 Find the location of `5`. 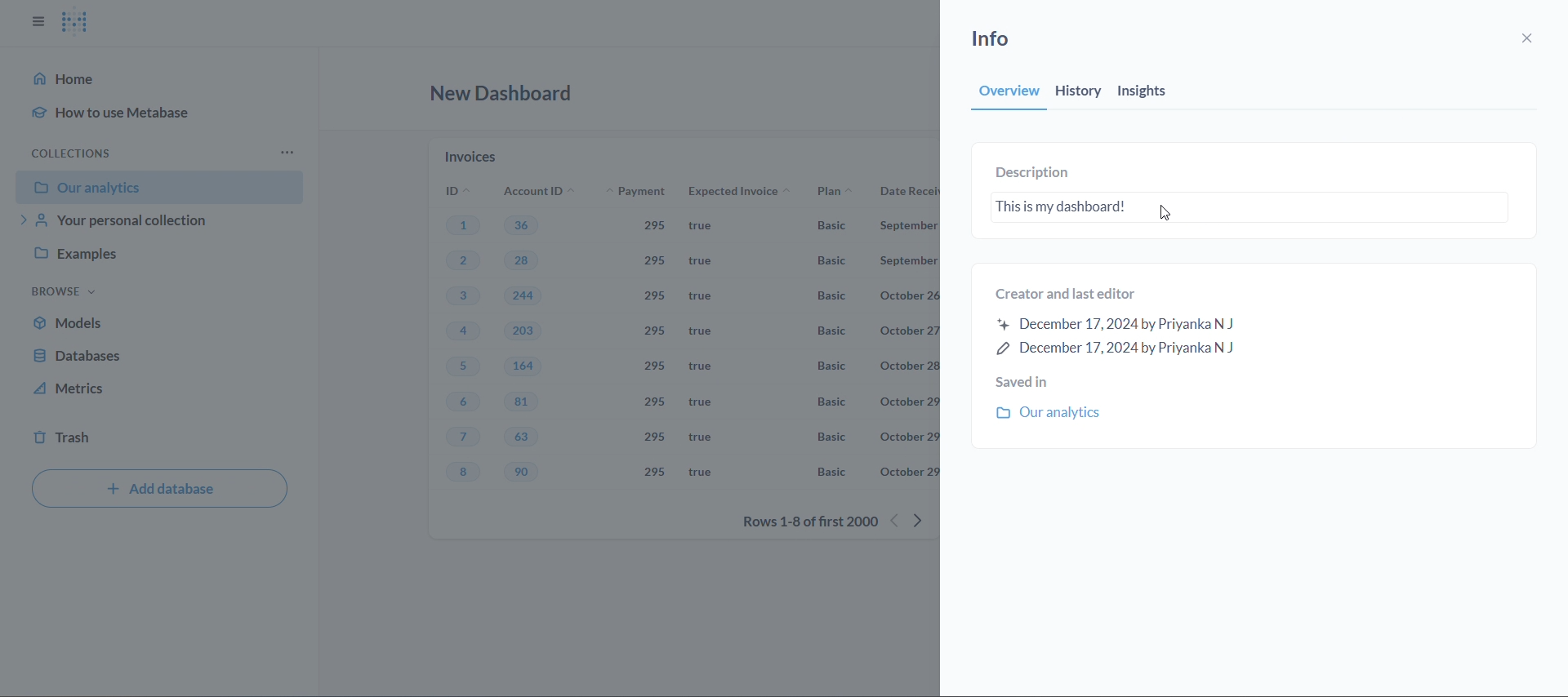

5 is located at coordinates (463, 367).